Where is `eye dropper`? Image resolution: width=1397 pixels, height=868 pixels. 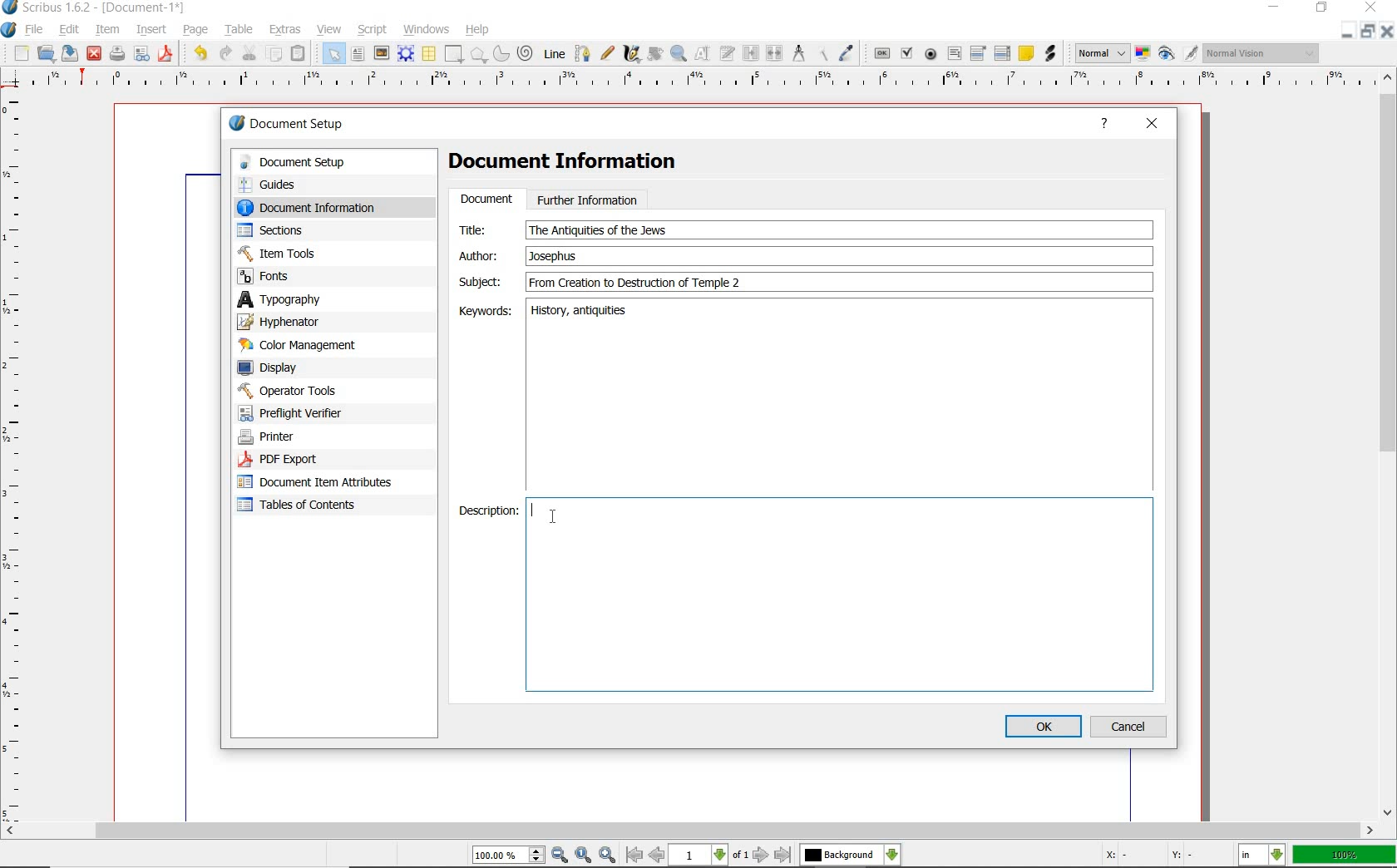
eye dropper is located at coordinates (847, 52).